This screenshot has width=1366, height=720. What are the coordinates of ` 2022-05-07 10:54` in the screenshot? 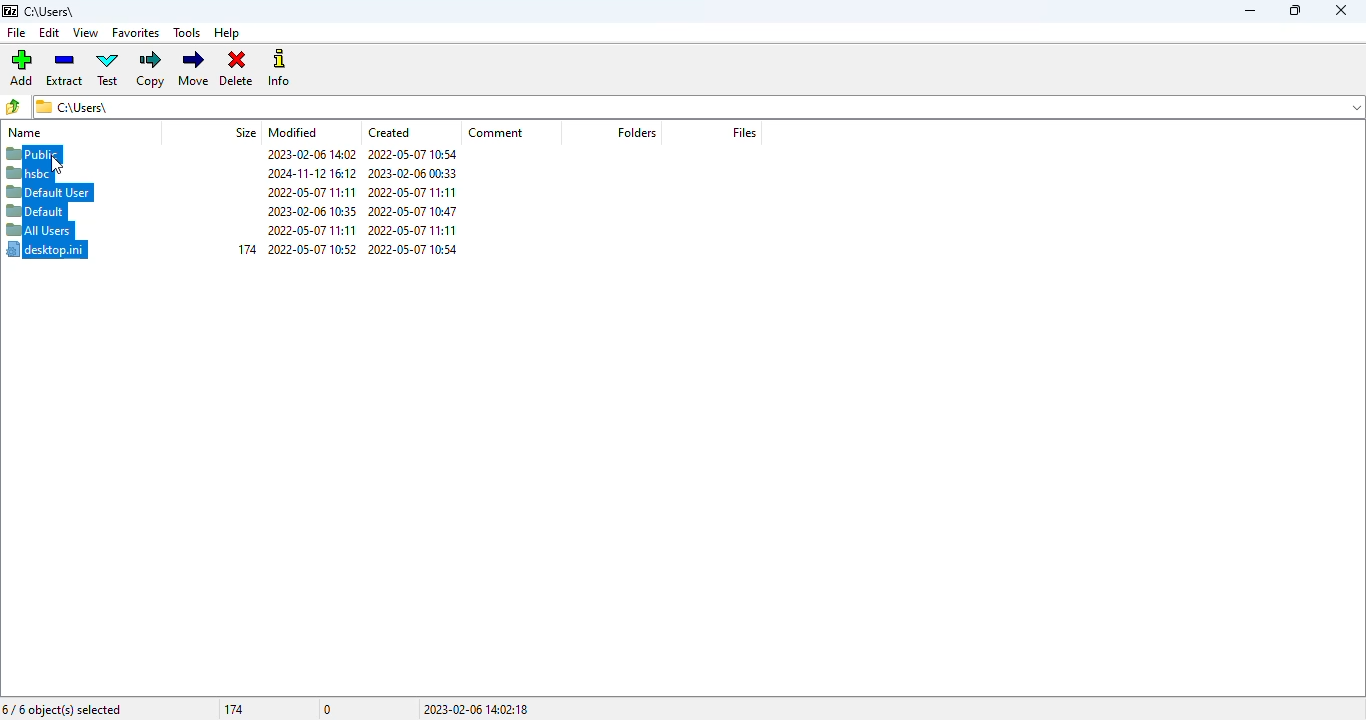 It's located at (418, 250).